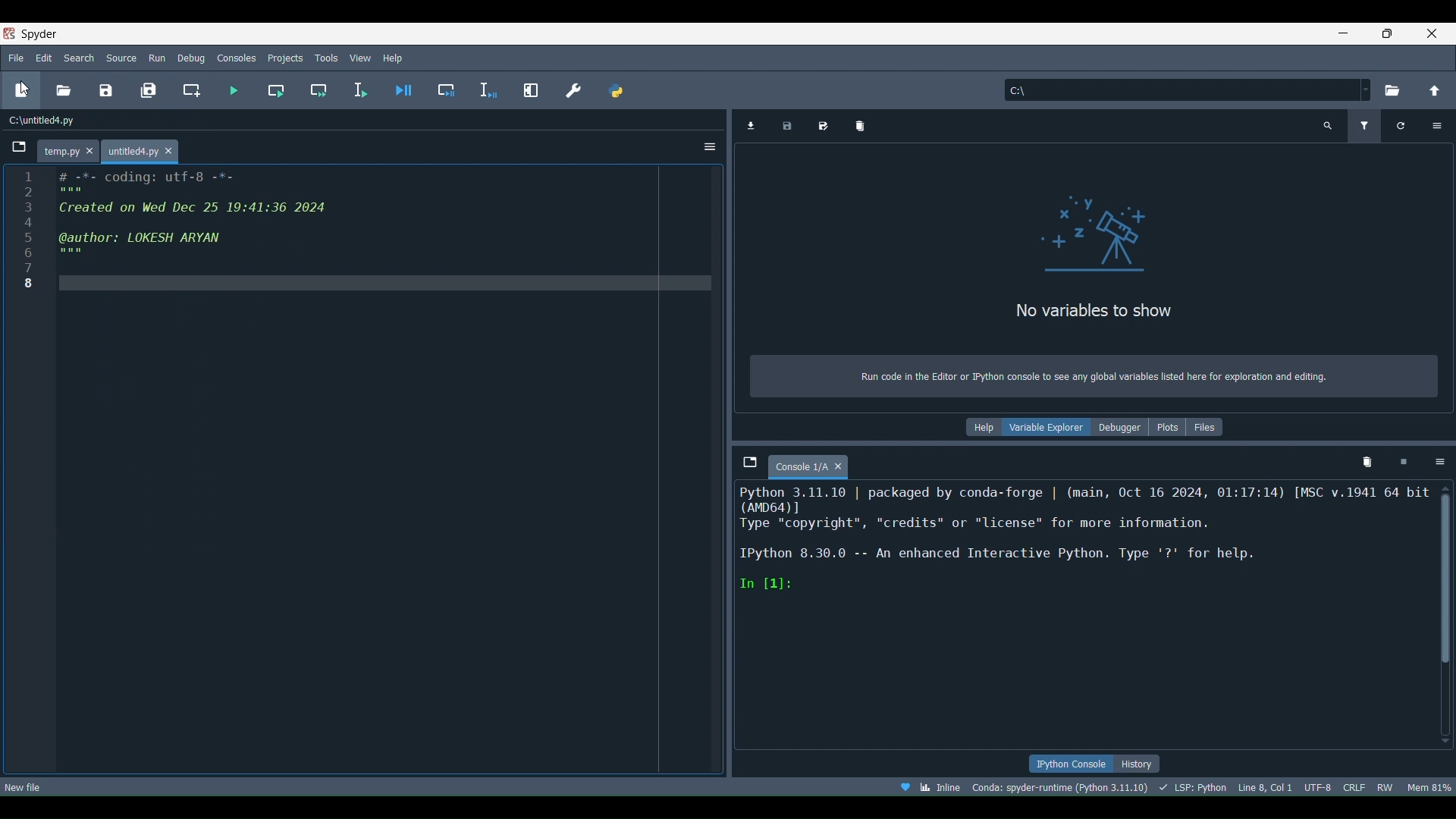 This screenshot has height=819, width=1456. What do you see at coordinates (711, 147) in the screenshot?
I see `Options` at bounding box center [711, 147].